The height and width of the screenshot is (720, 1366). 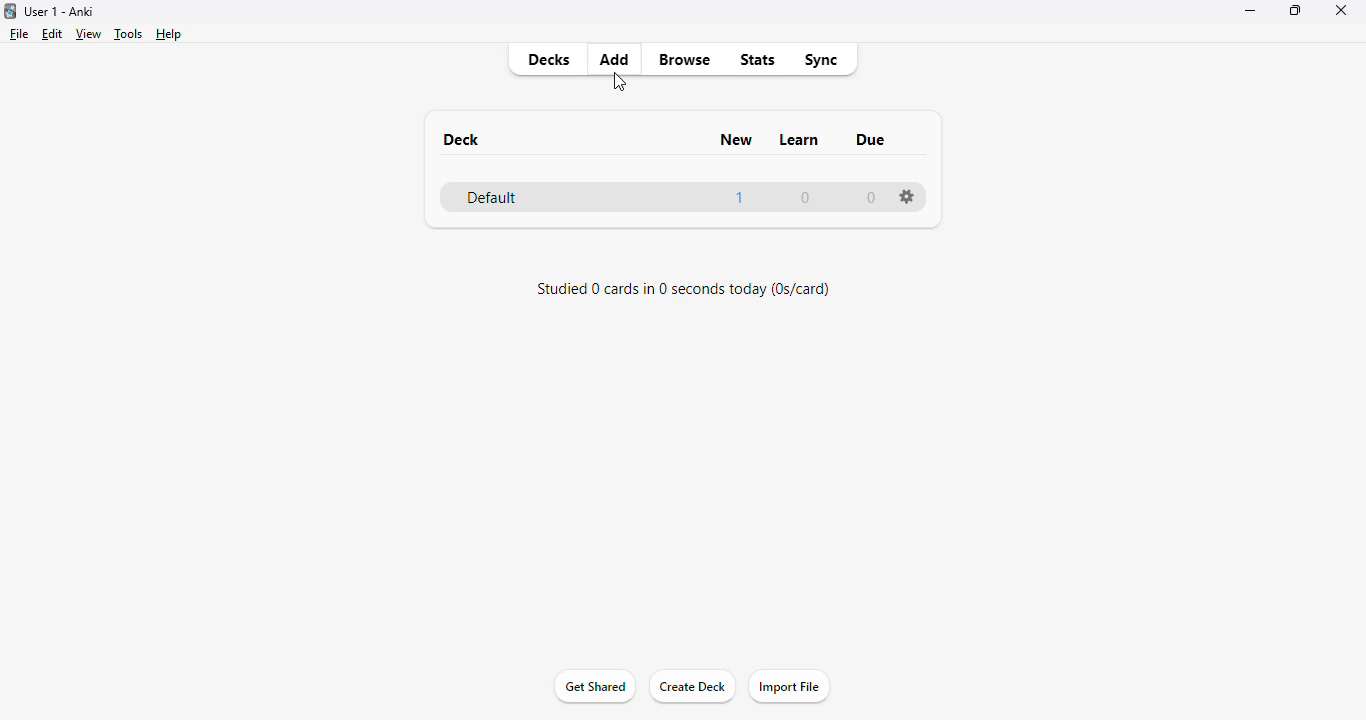 I want to click on logo, so click(x=9, y=11).